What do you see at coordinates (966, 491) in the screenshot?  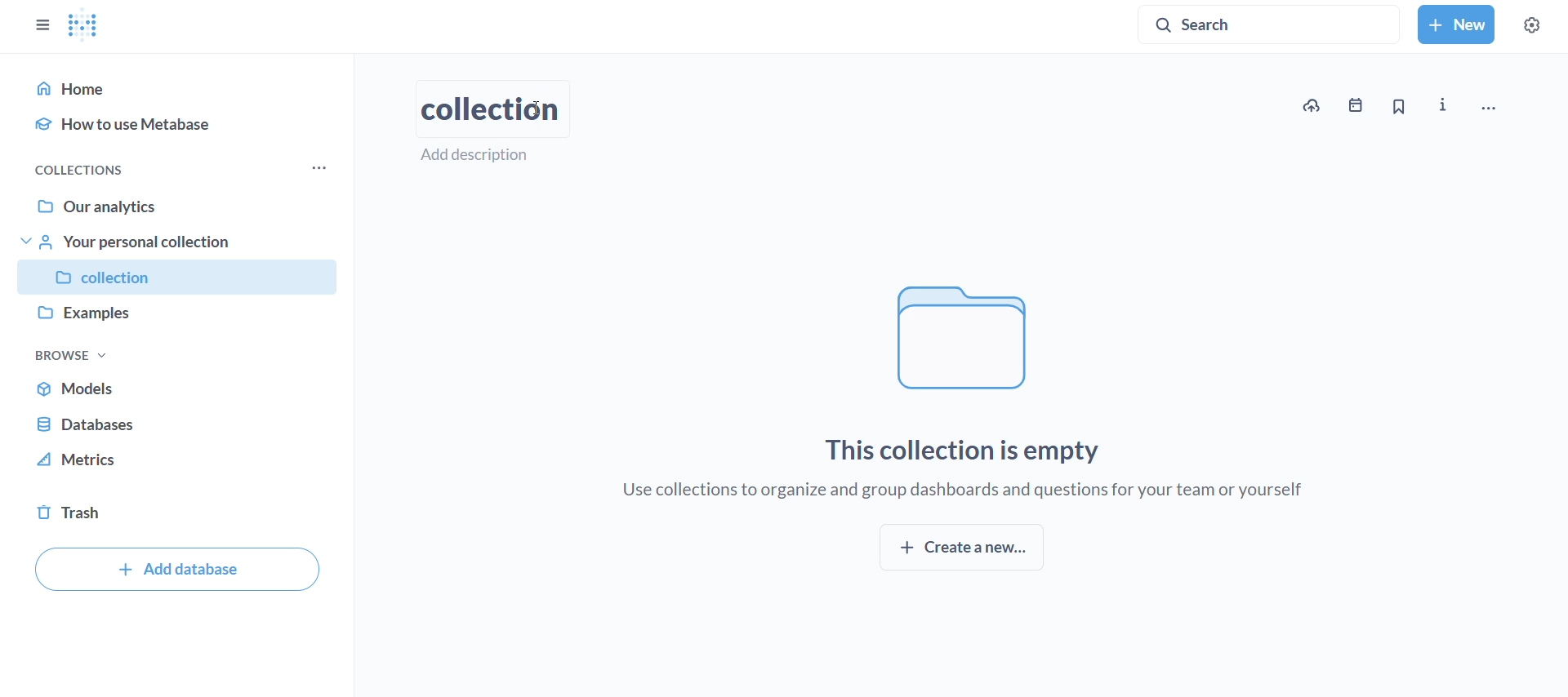 I see `use collections to organize and group dashboards and questions for your team or yourself` at bounding box center [966, 491].